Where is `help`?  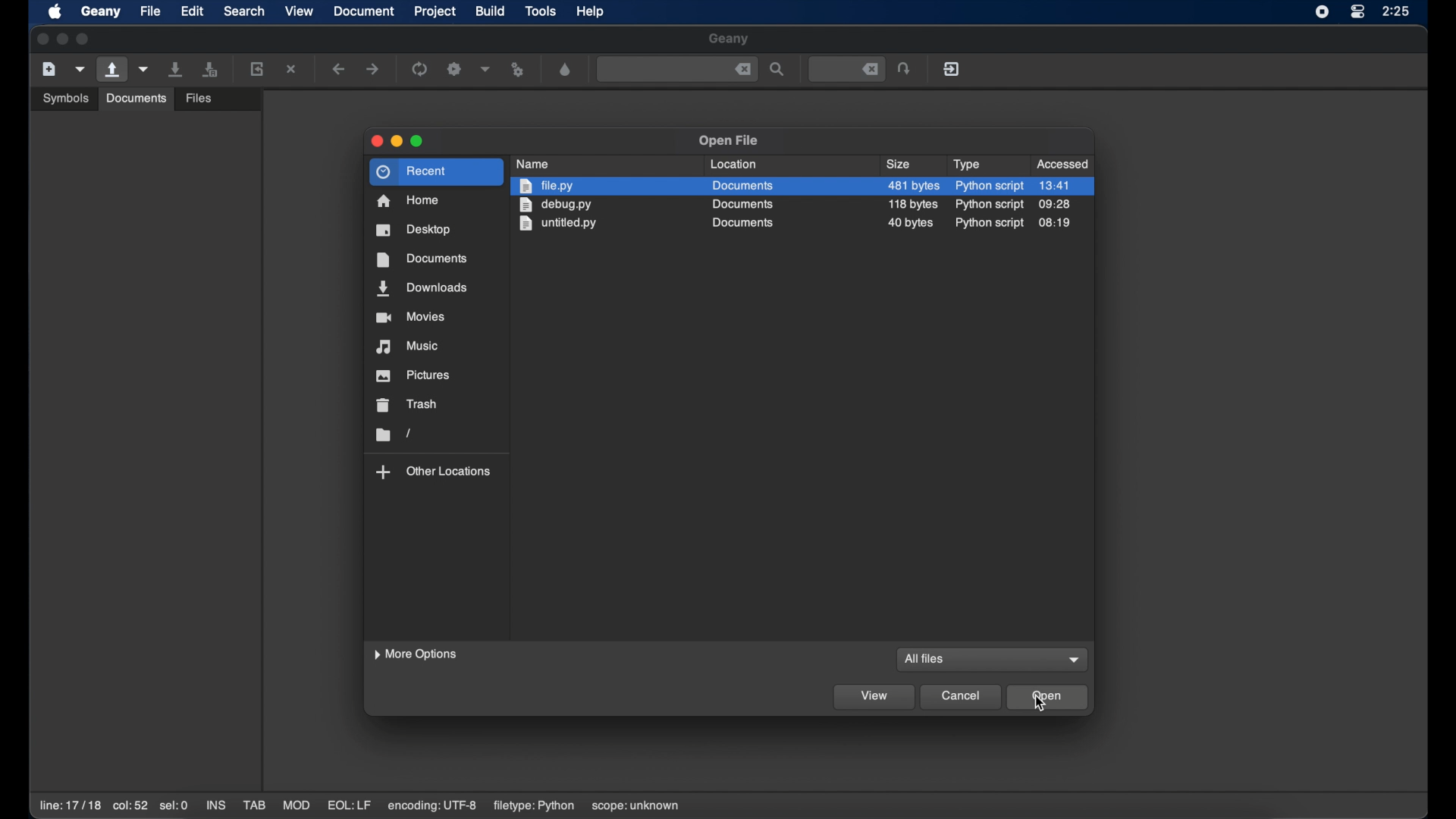
help is located at coordinates (591, 11).